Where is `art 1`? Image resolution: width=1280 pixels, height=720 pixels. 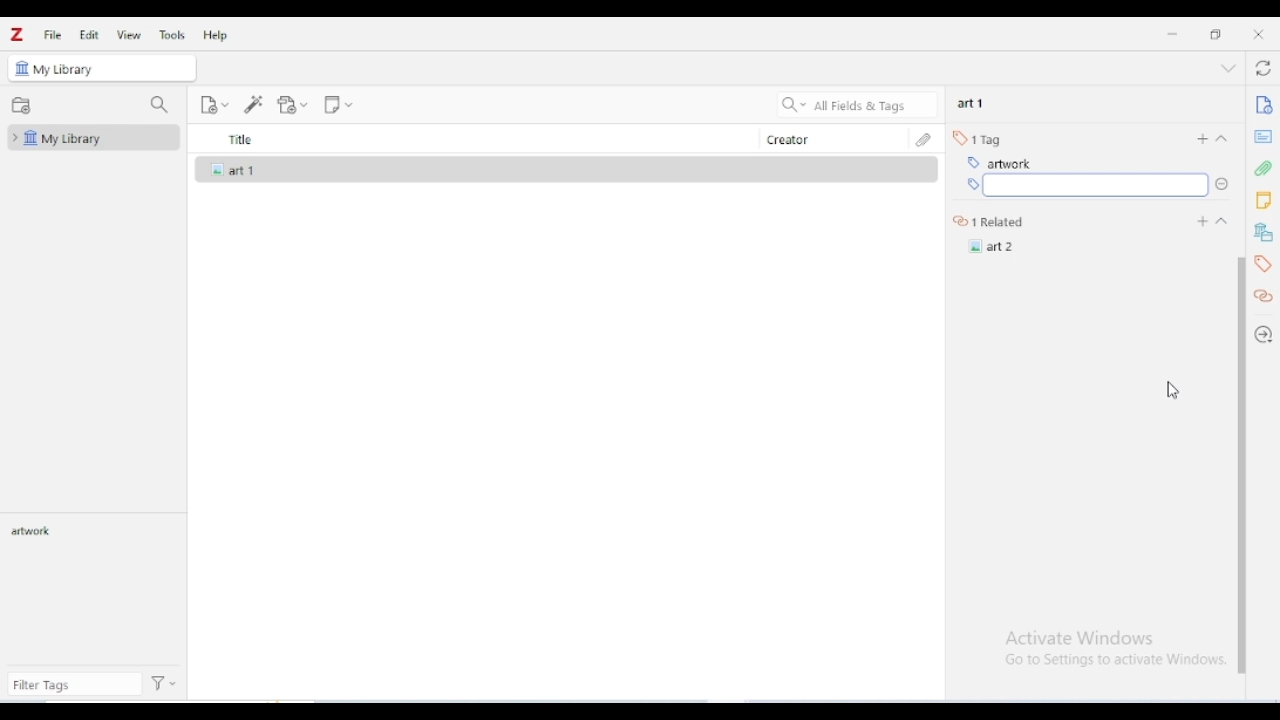 art 1 is located at coordinates (565, 169).